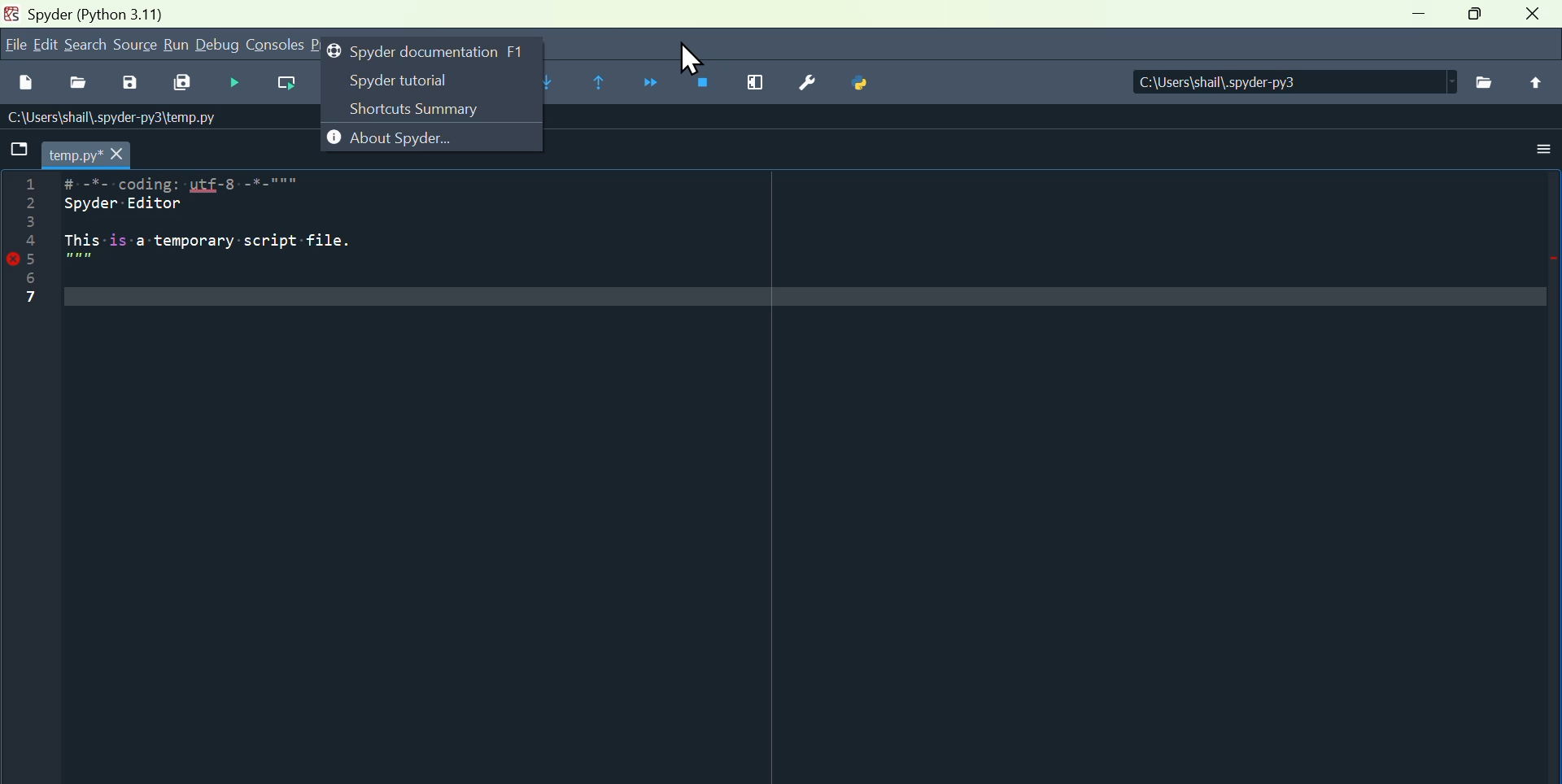 This screenshot has height=784, width=1562. I want to click on Continue execution until same function returns, so click(592, 82).